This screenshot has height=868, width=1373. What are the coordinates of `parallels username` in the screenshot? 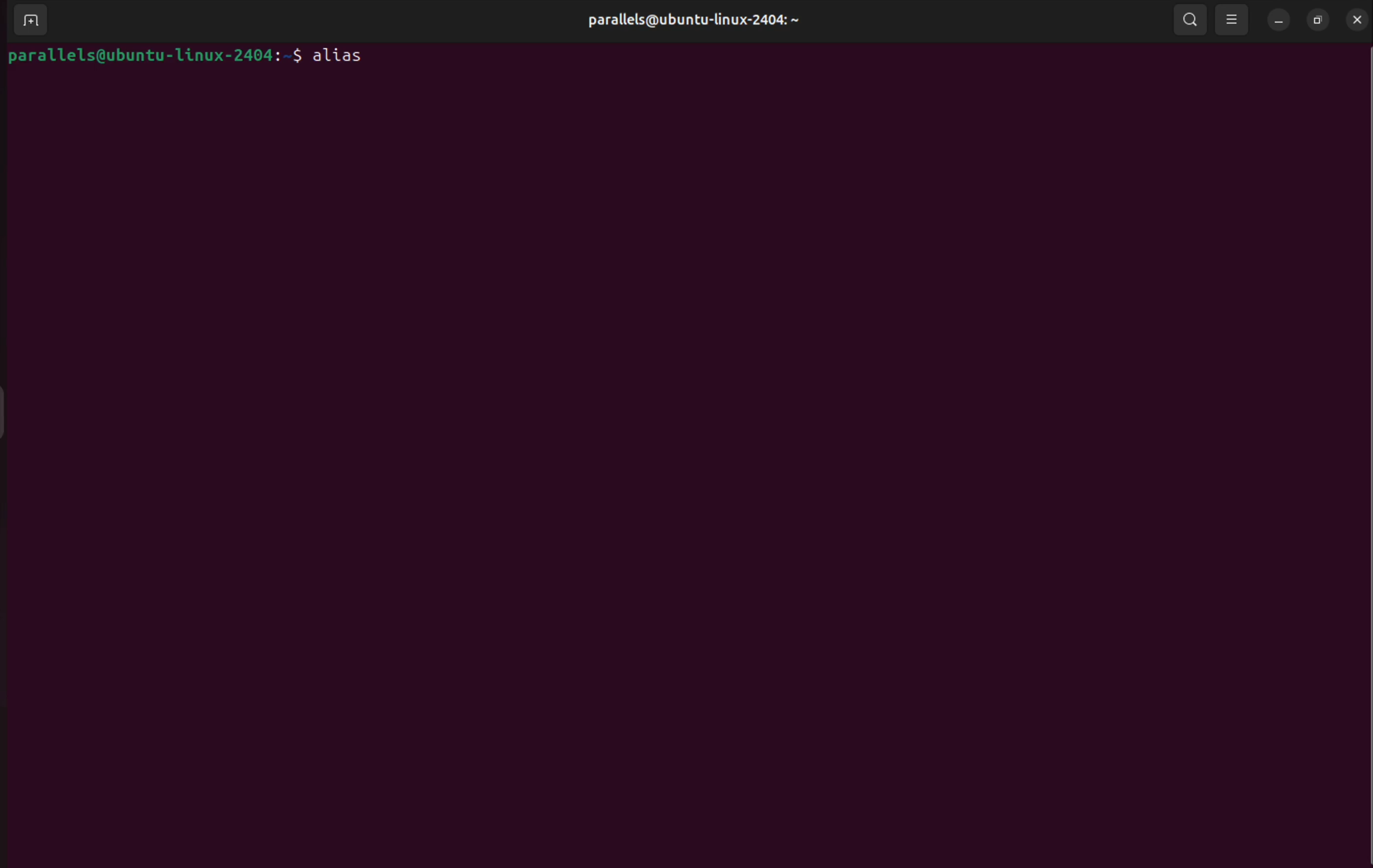 It's located at (688, 20).